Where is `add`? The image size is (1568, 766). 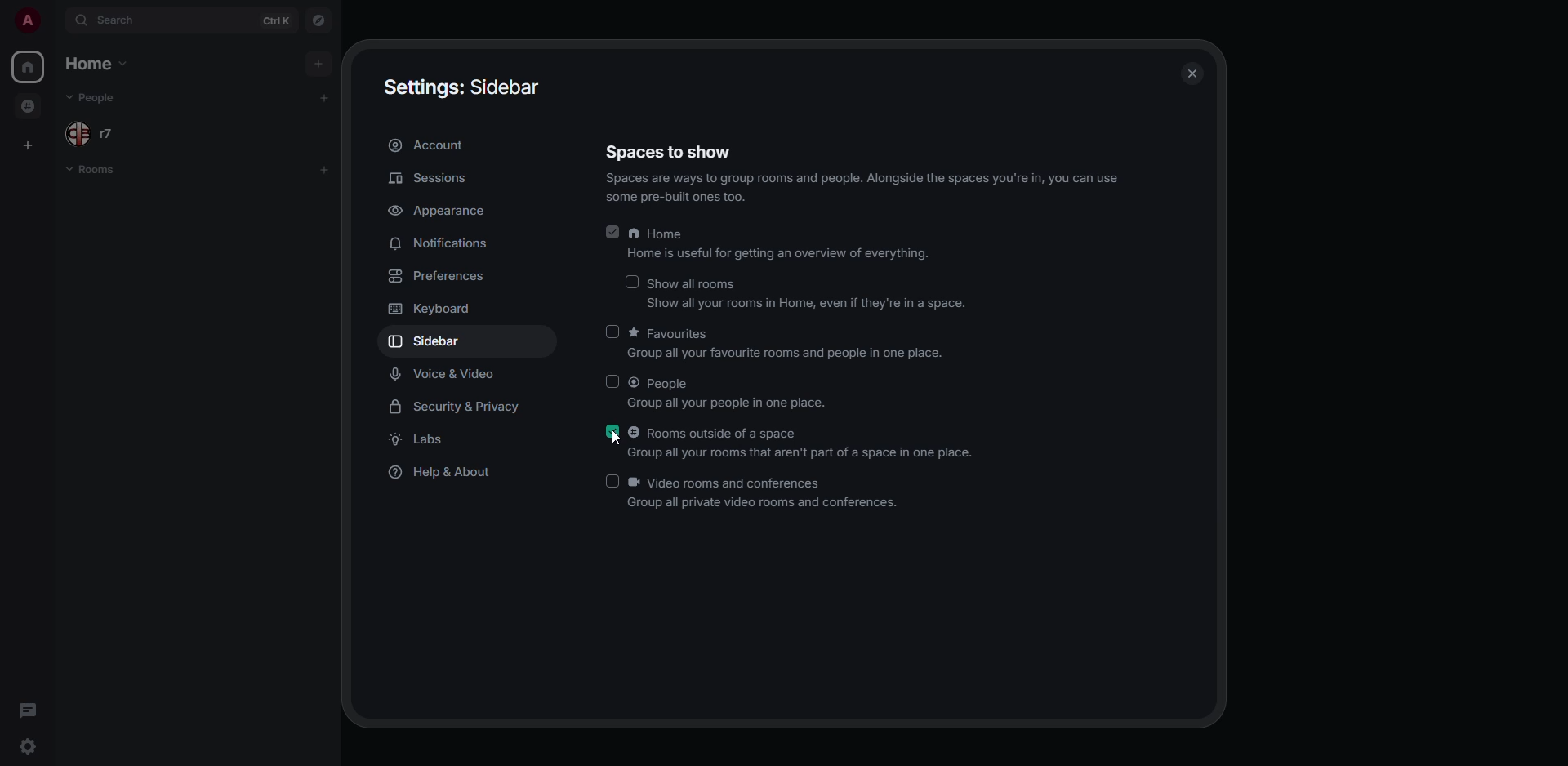
add is located at coordinates (325, 170).